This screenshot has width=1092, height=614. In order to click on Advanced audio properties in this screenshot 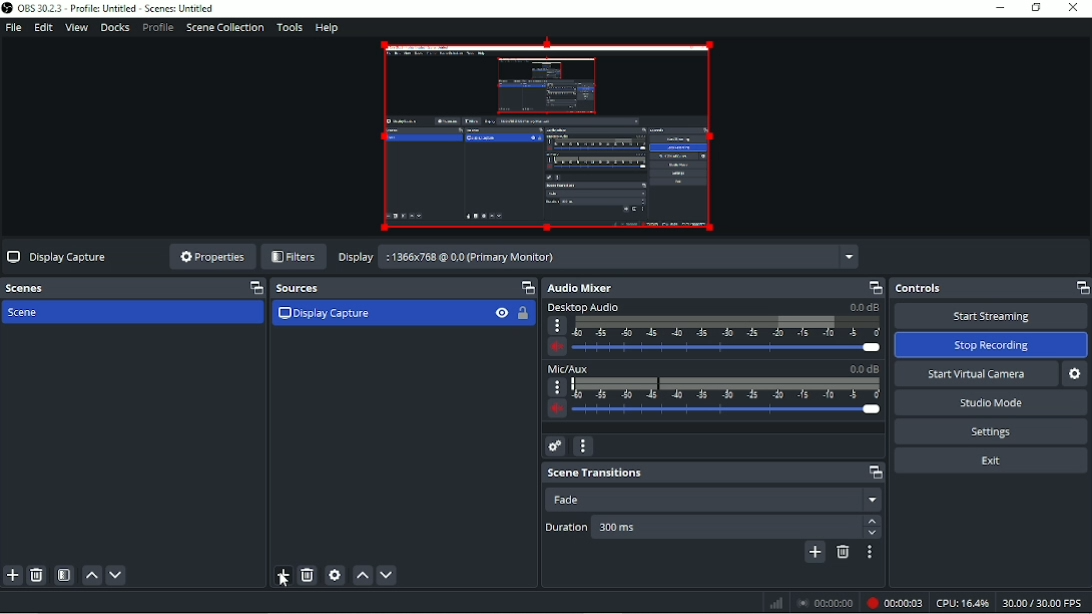, I will do `click(556, 446)`.